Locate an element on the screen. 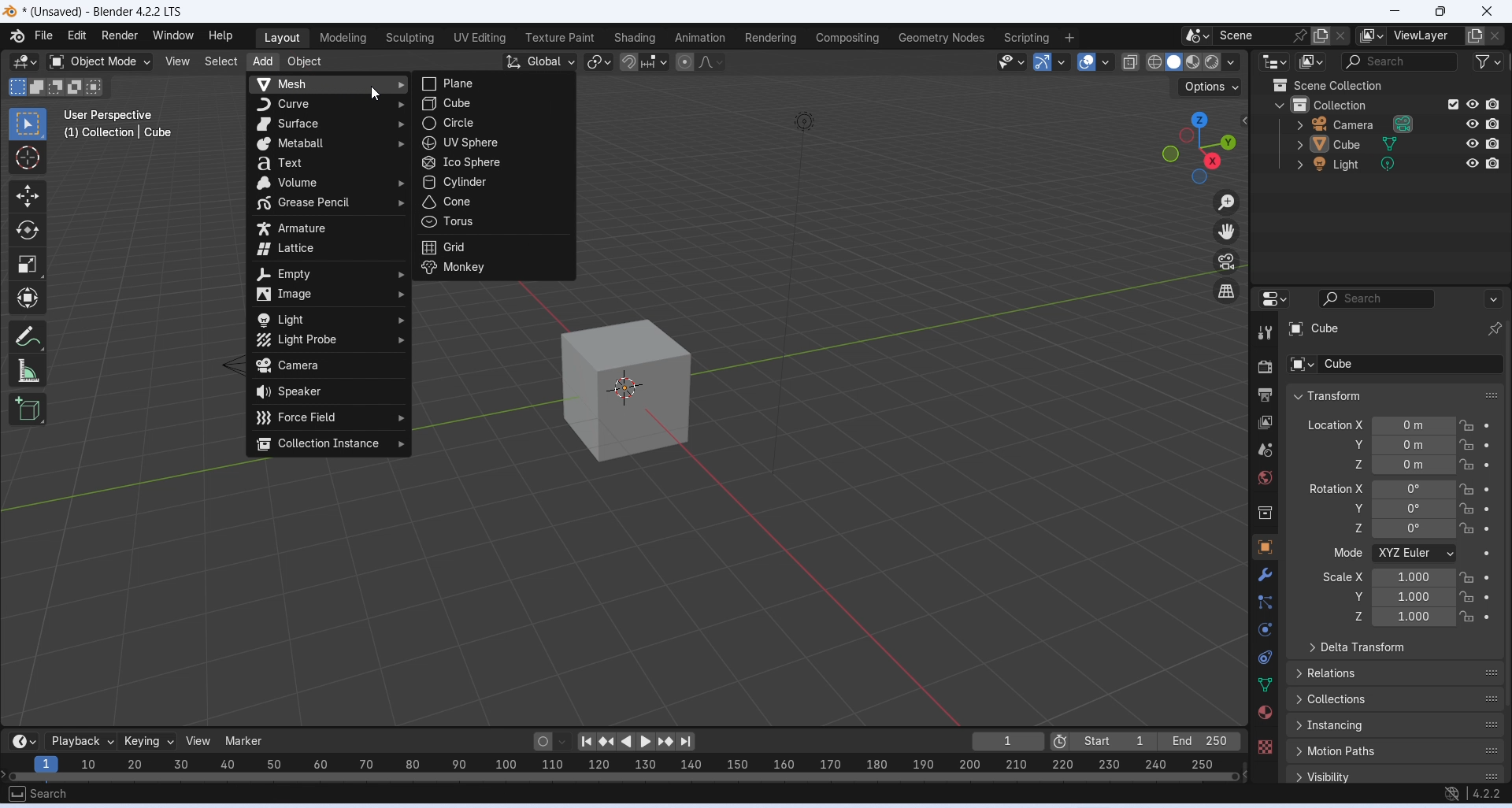 This screenshot has width=1512, height=808. torus is located at coordinates (492, 222).